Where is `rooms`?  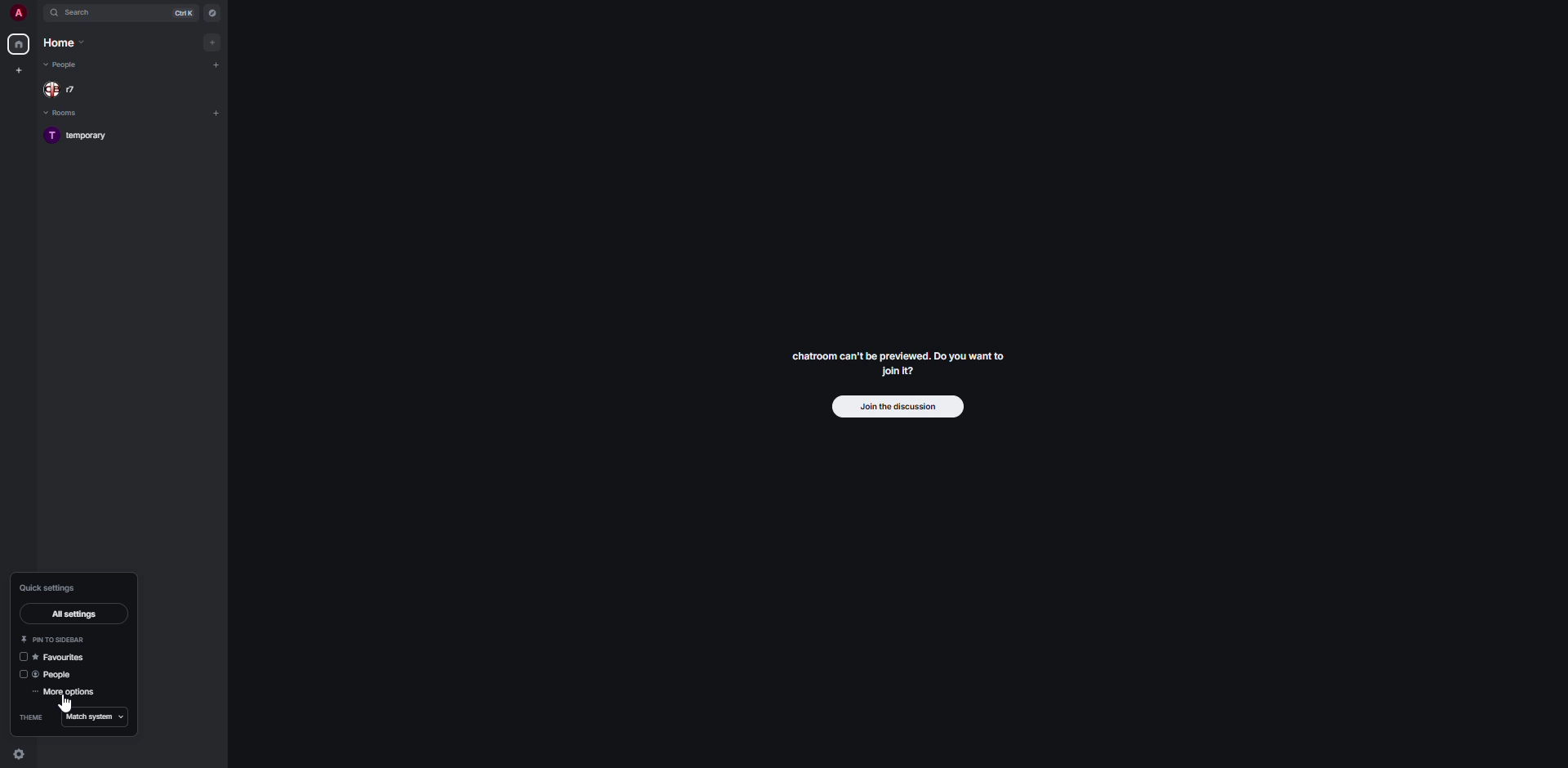
rooms is located at coordinates (62, 114).